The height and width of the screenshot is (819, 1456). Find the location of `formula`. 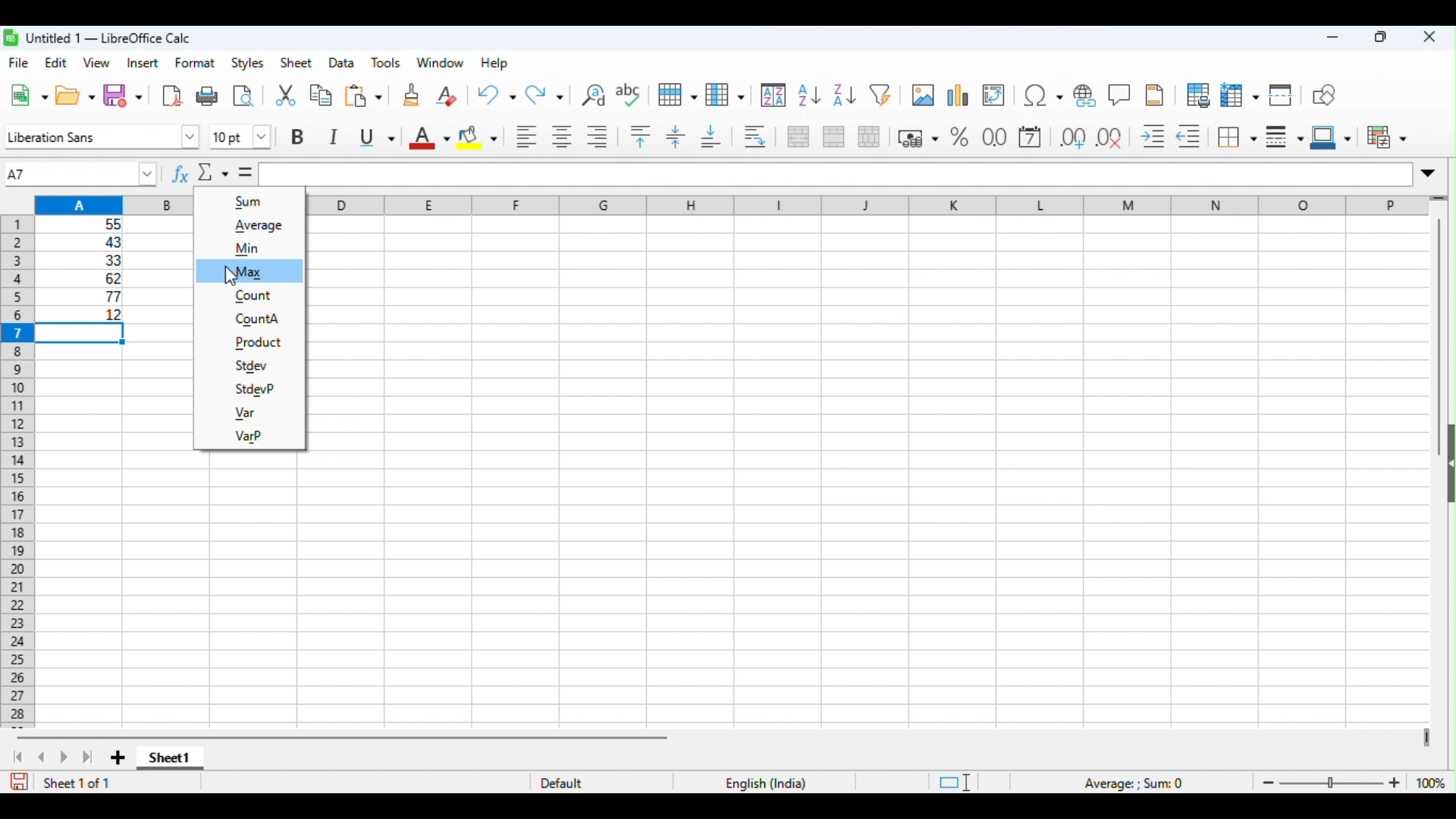

formula is located at coordinates (1136, 783).